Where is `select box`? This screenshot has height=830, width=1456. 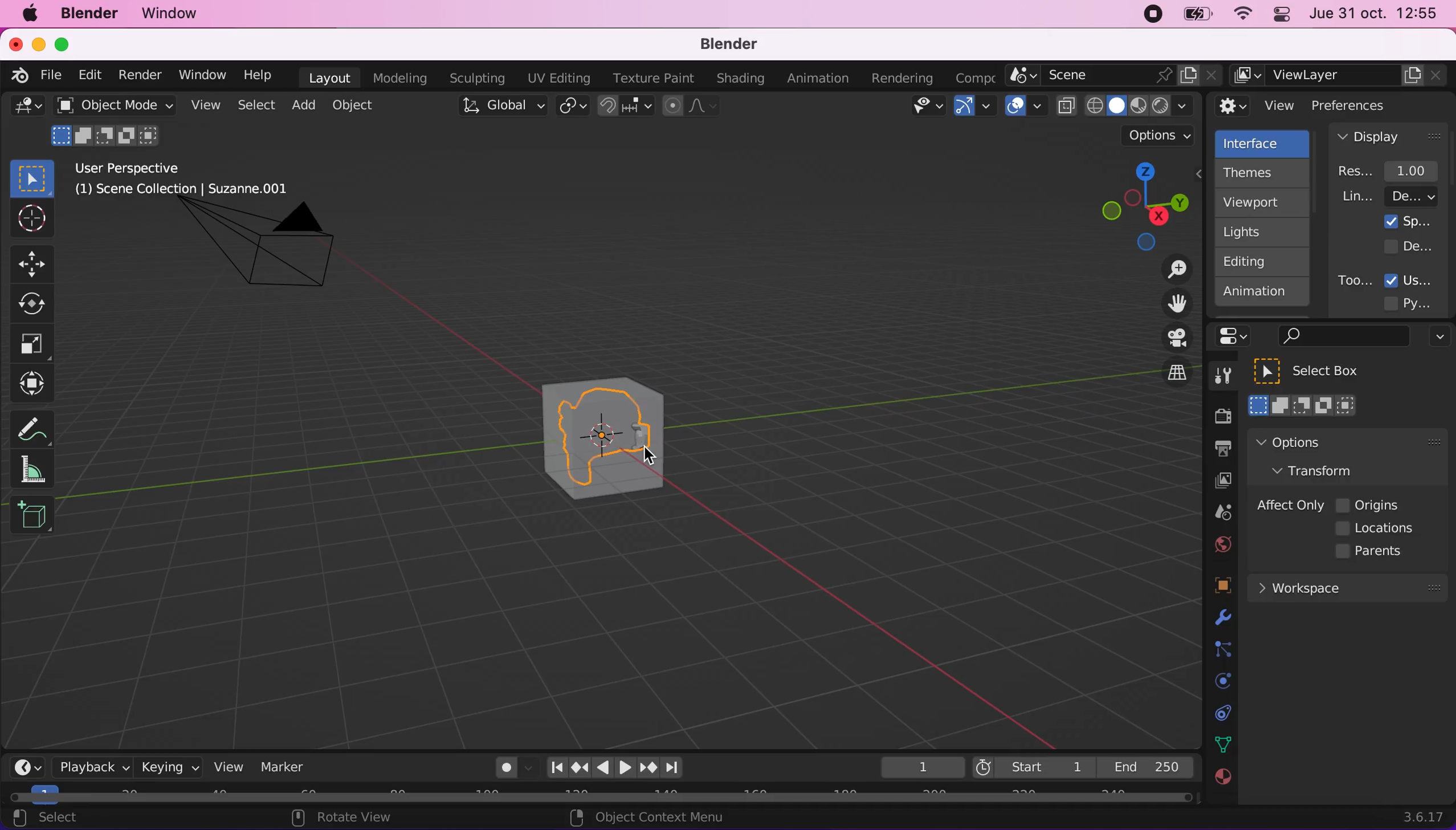 select box is located at coordinates (1321, 371).